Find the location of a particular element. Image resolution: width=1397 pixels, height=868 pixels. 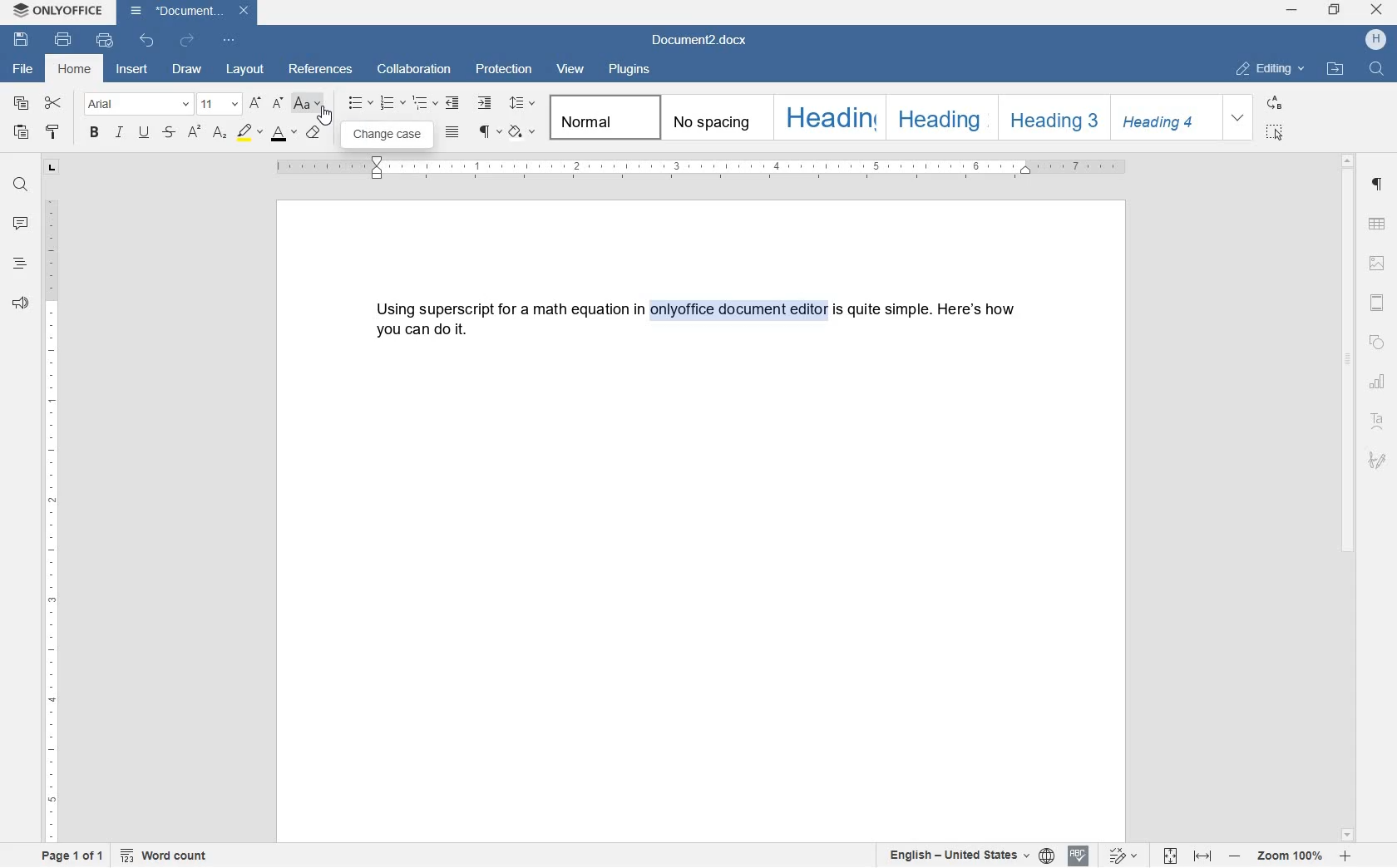

draw is located at coordinates (192, 69).